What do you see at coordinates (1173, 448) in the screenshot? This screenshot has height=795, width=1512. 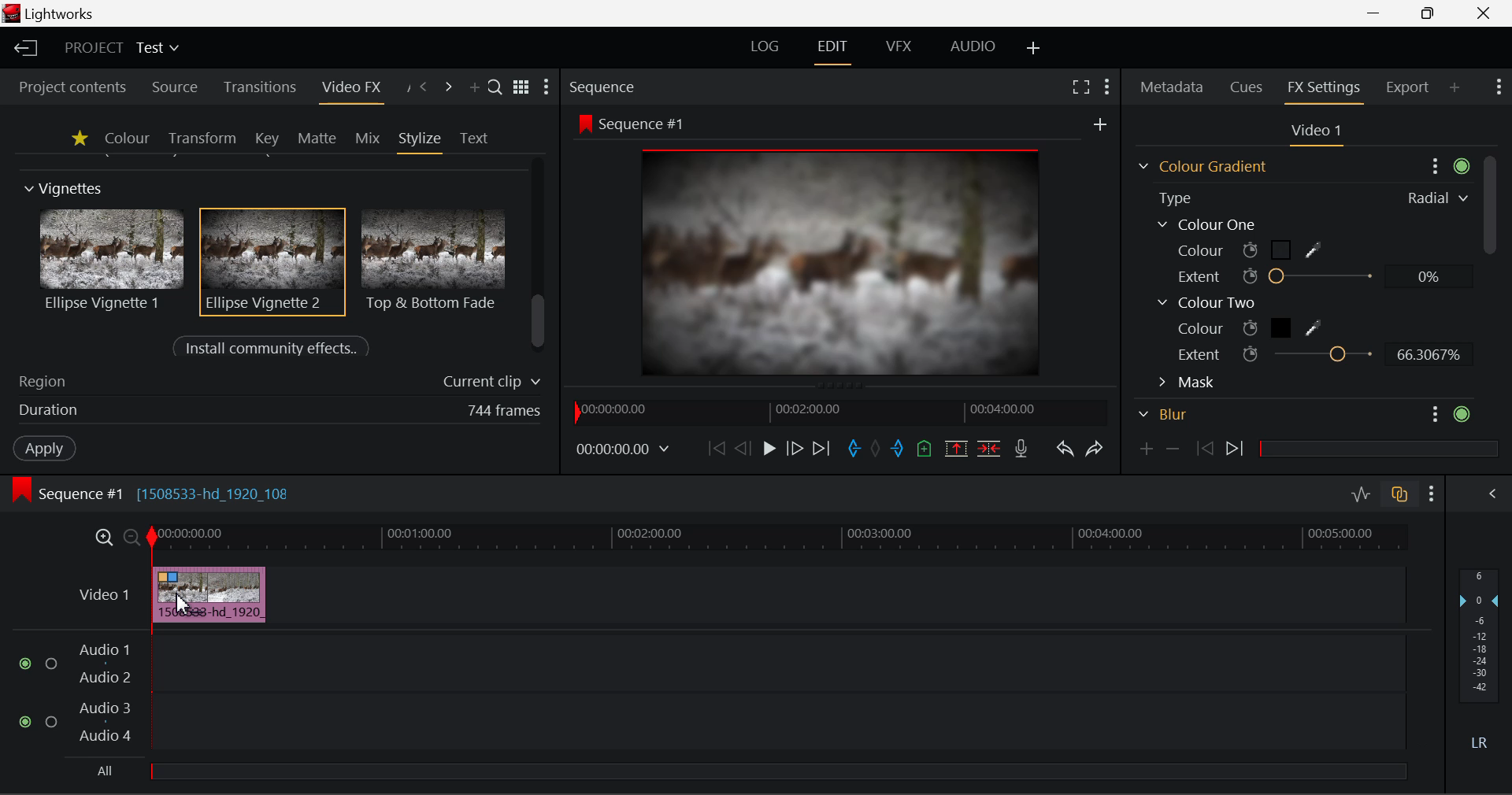 I see `Remove keyframe` at bounding box center [1173, 448].